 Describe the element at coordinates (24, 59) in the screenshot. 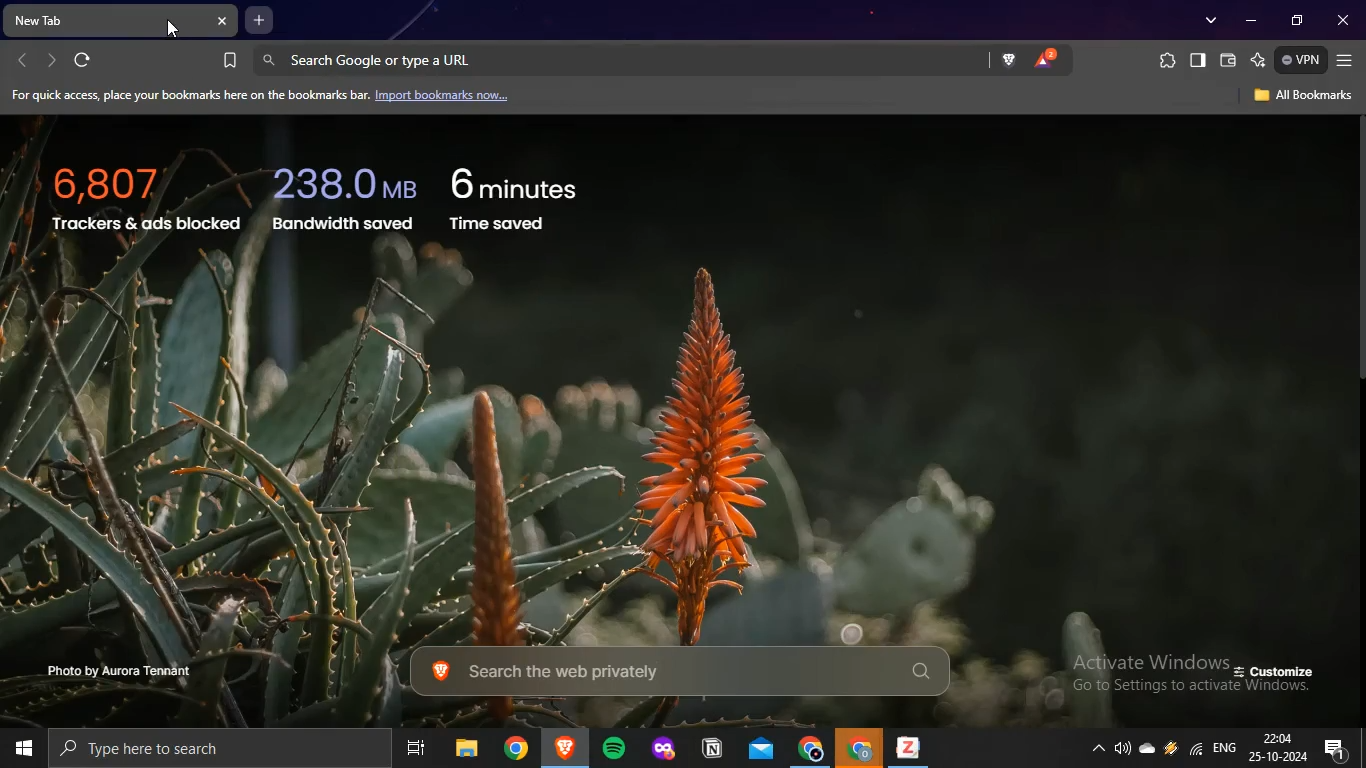

I see `backward` at that location.